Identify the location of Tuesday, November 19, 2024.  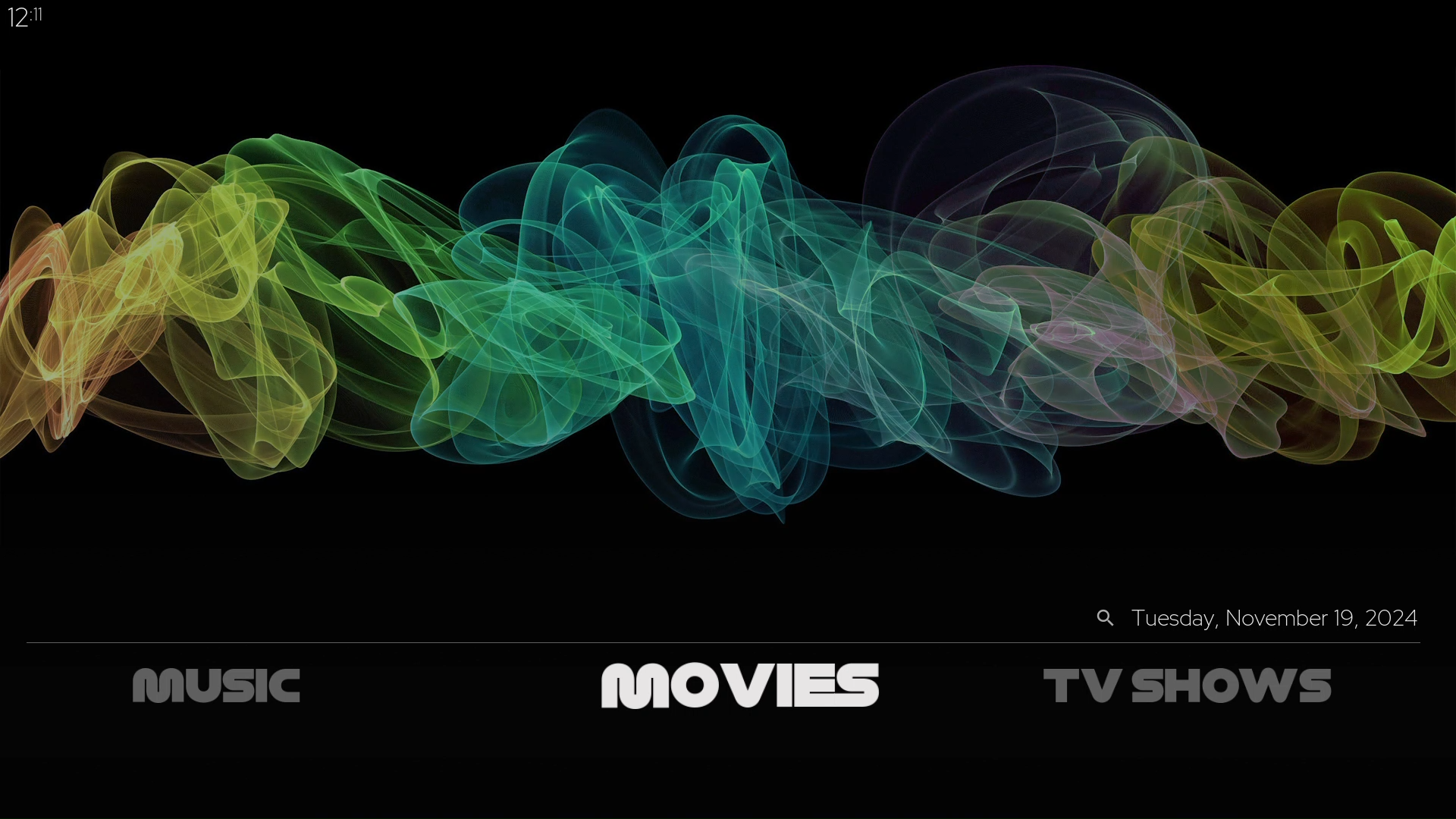
(1273, 619).